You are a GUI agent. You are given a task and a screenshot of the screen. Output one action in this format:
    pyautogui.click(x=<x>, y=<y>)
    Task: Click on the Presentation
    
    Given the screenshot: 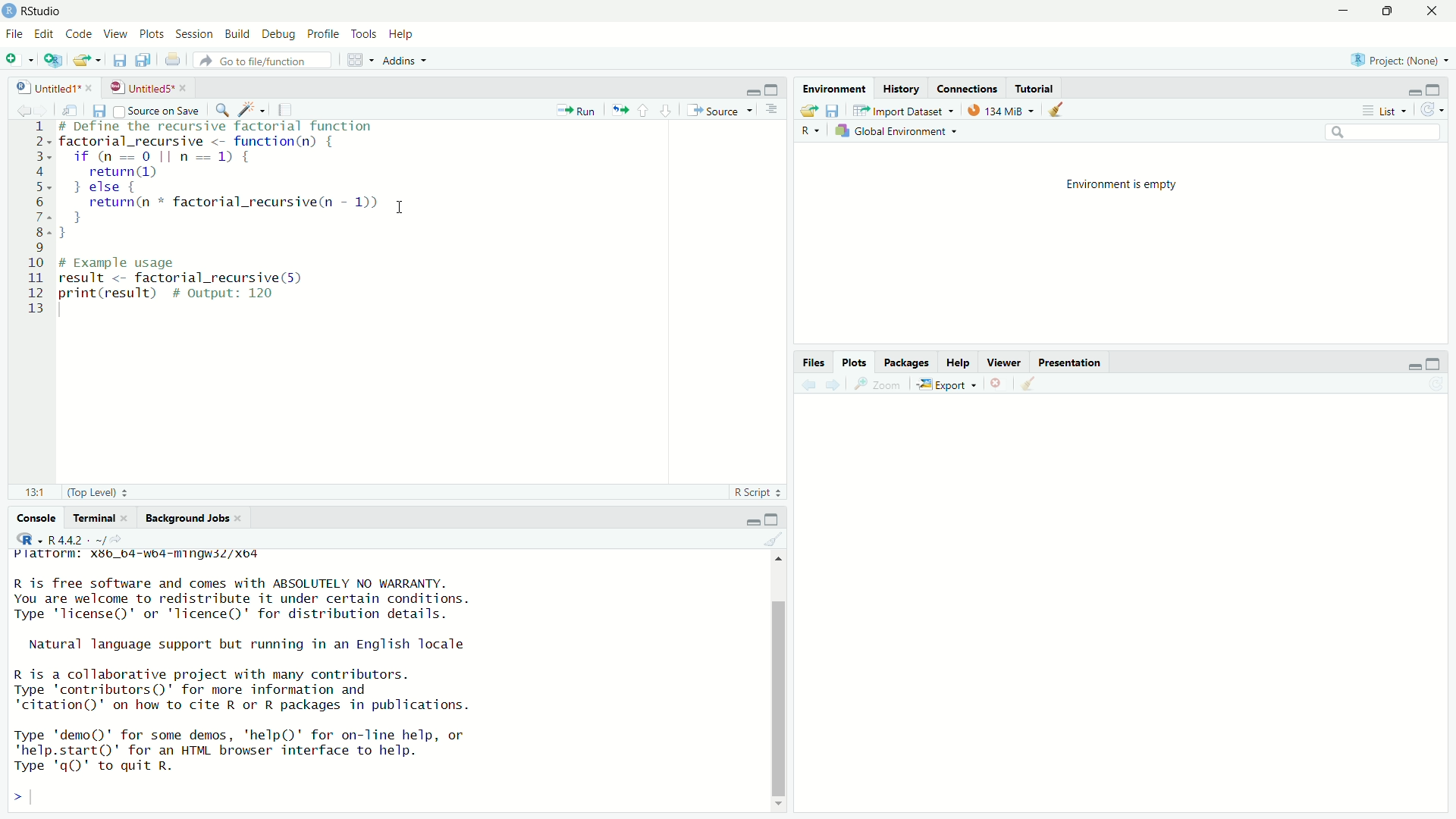 What is the action you would take?
    pyautogui.click(x=1071, y=361)
    